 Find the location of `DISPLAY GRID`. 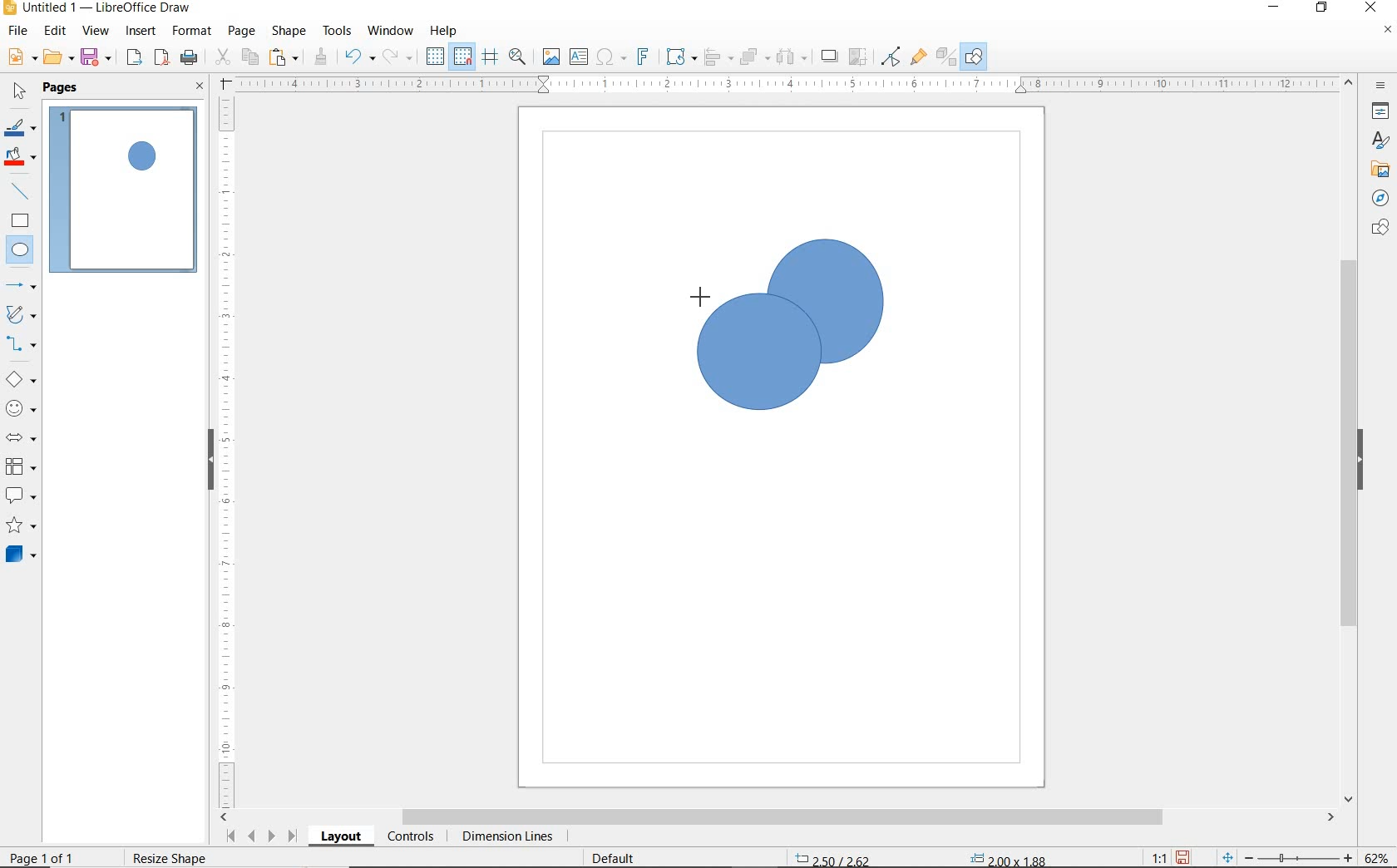

DISPLAY GRID is located at coordinates (437, 57).